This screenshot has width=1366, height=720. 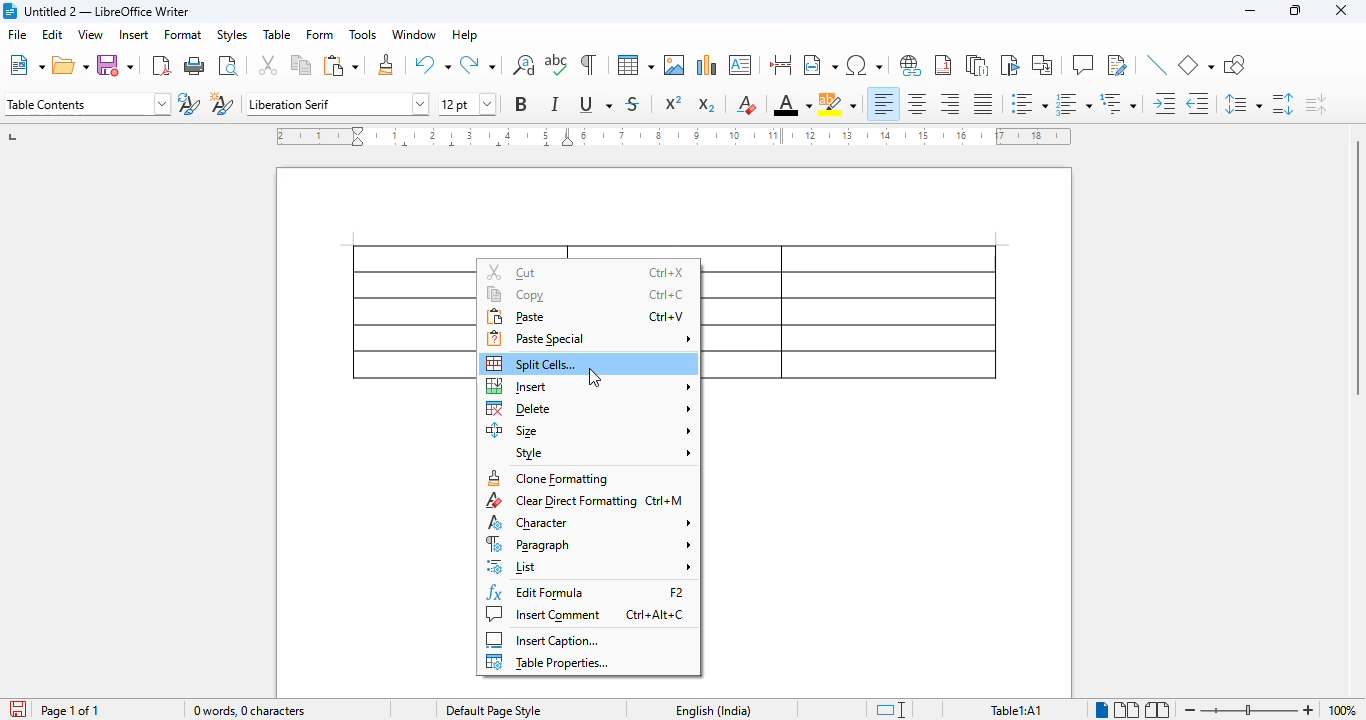 I want to click on increase paragraph spacing, so click(x=1282, y=104).